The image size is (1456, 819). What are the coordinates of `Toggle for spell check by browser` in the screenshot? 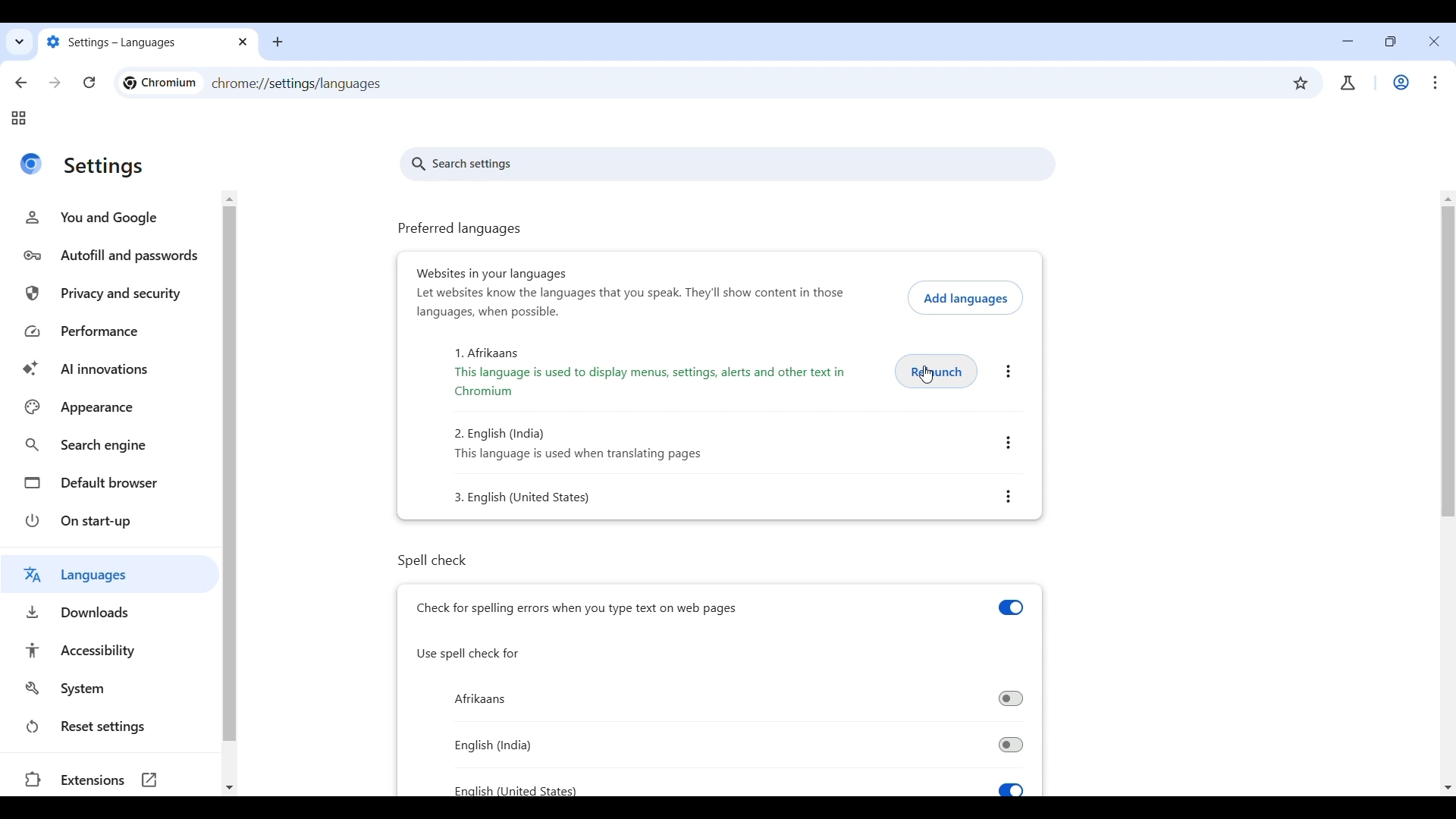 It's located at (724, 607).